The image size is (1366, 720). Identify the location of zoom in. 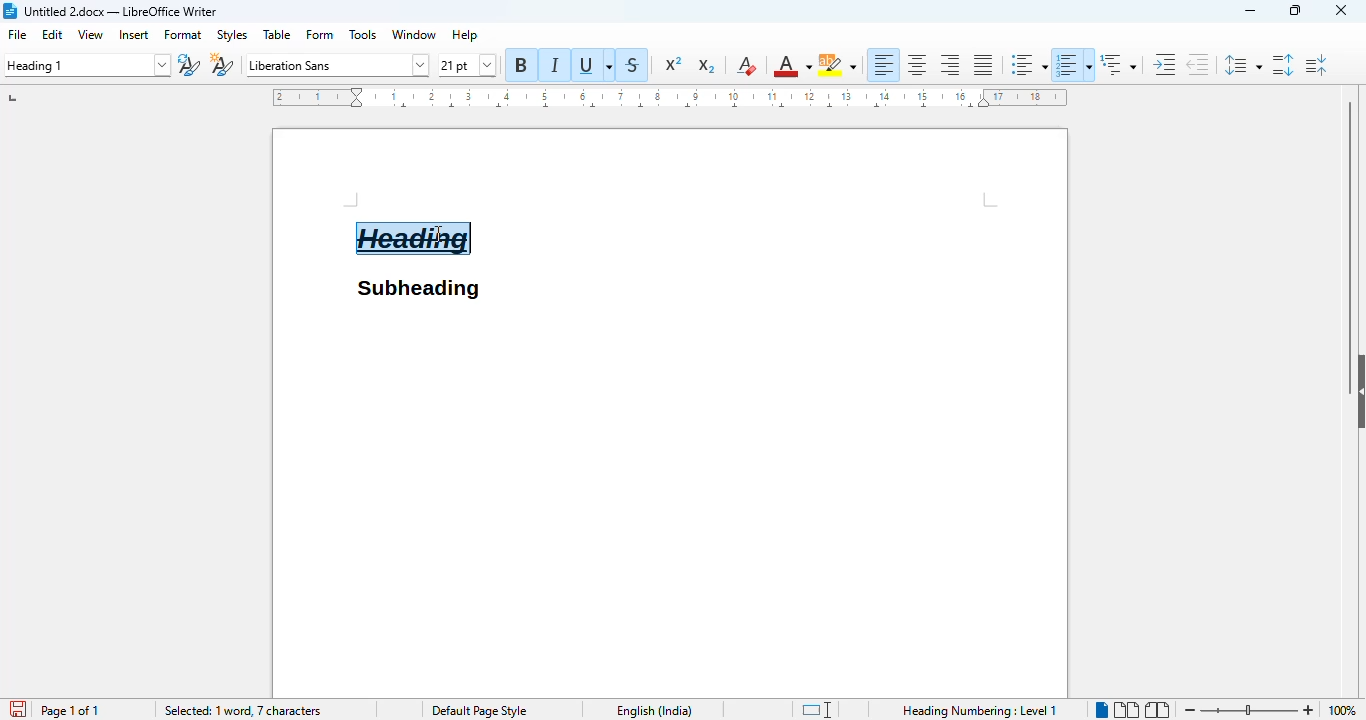
(1310, 710).